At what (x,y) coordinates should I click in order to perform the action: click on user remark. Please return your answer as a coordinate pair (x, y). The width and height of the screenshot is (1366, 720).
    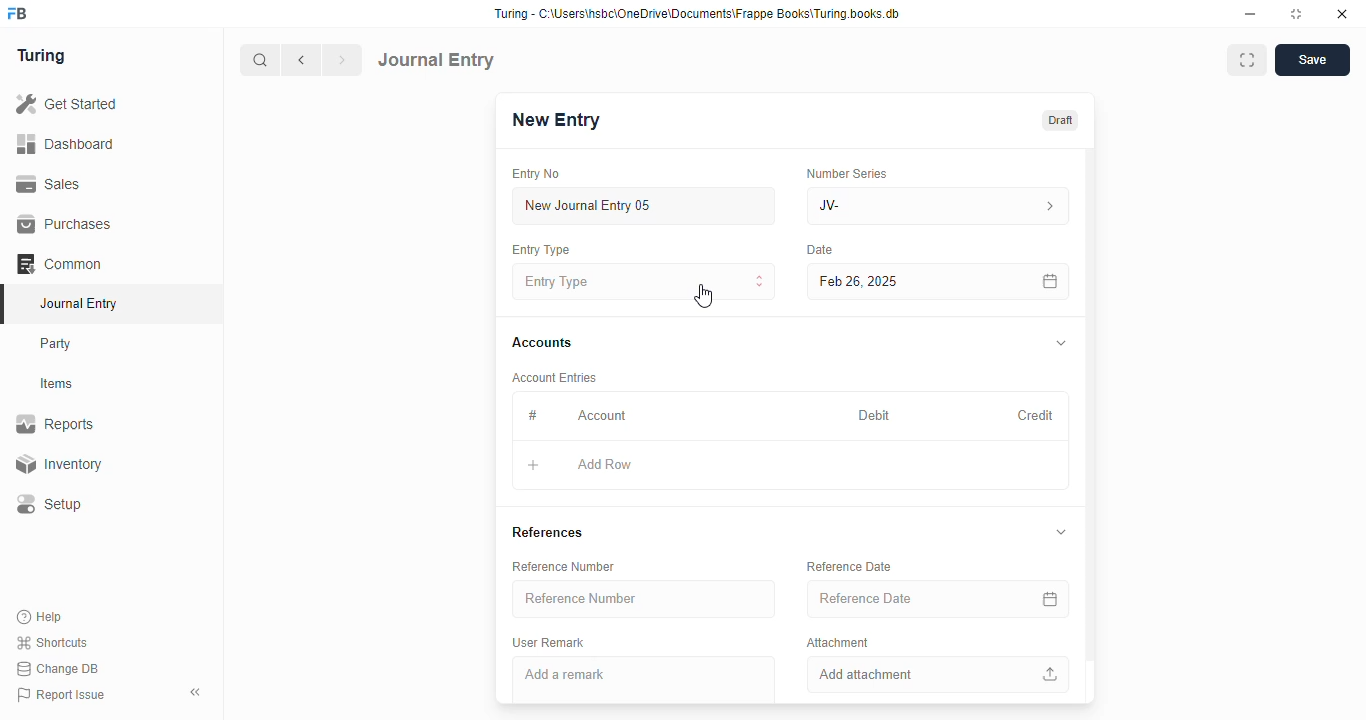
    Looking at the image, I should click on (548, 642).